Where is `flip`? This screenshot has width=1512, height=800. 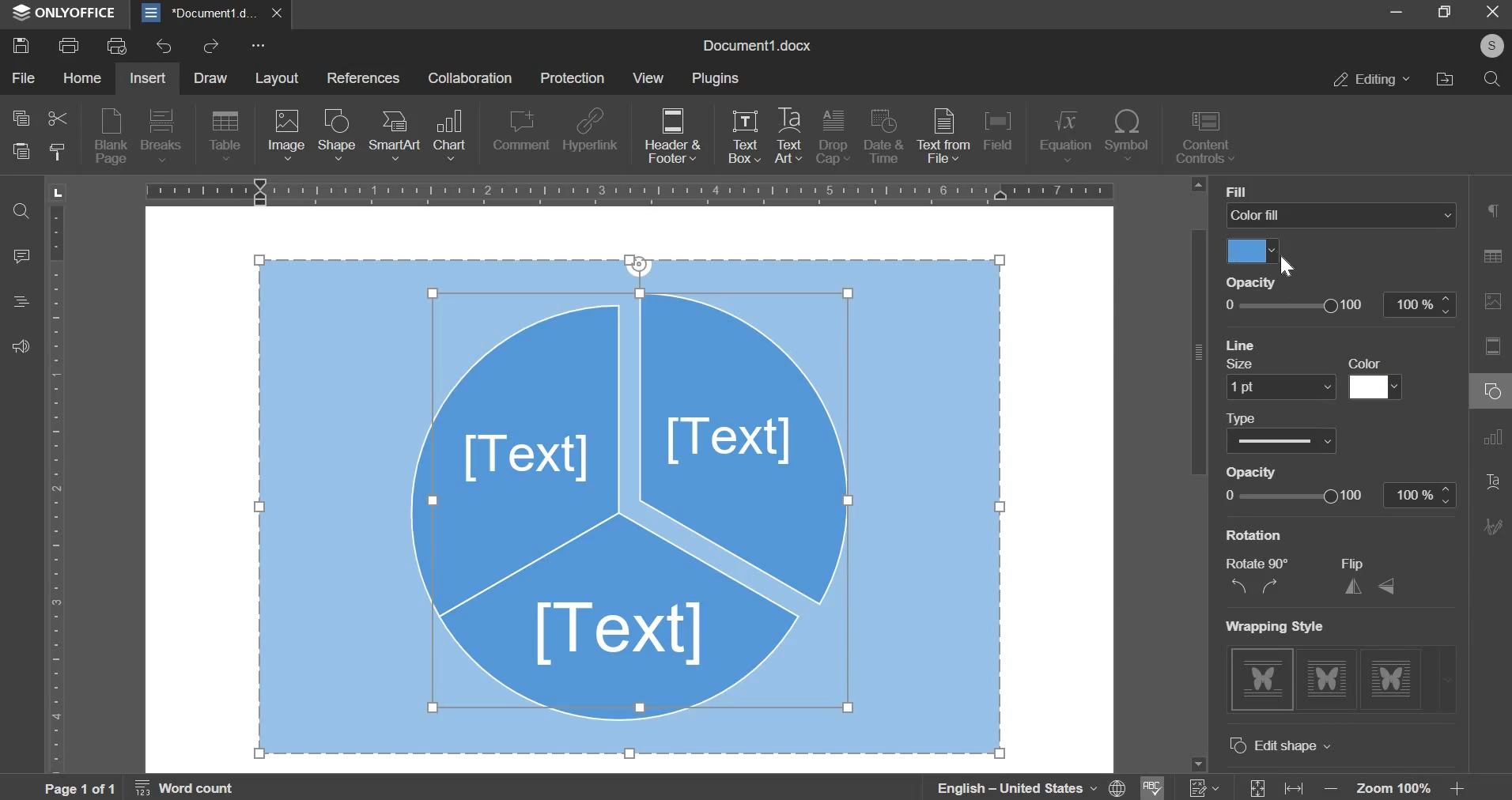
flip is located at coordinates (1369, 587).